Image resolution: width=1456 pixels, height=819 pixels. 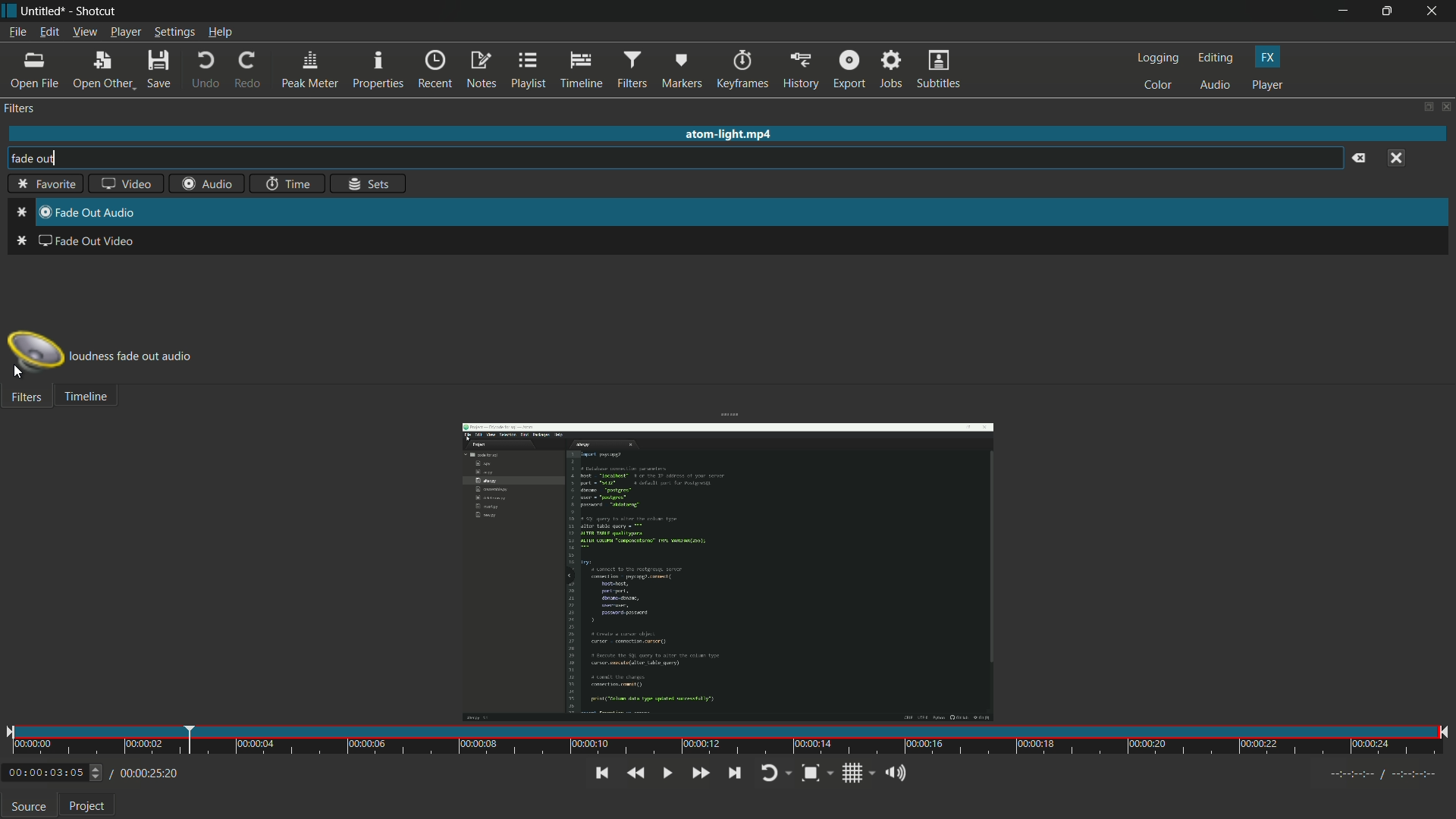 I want to click on toggle player looping, so click(x=770, y=773).